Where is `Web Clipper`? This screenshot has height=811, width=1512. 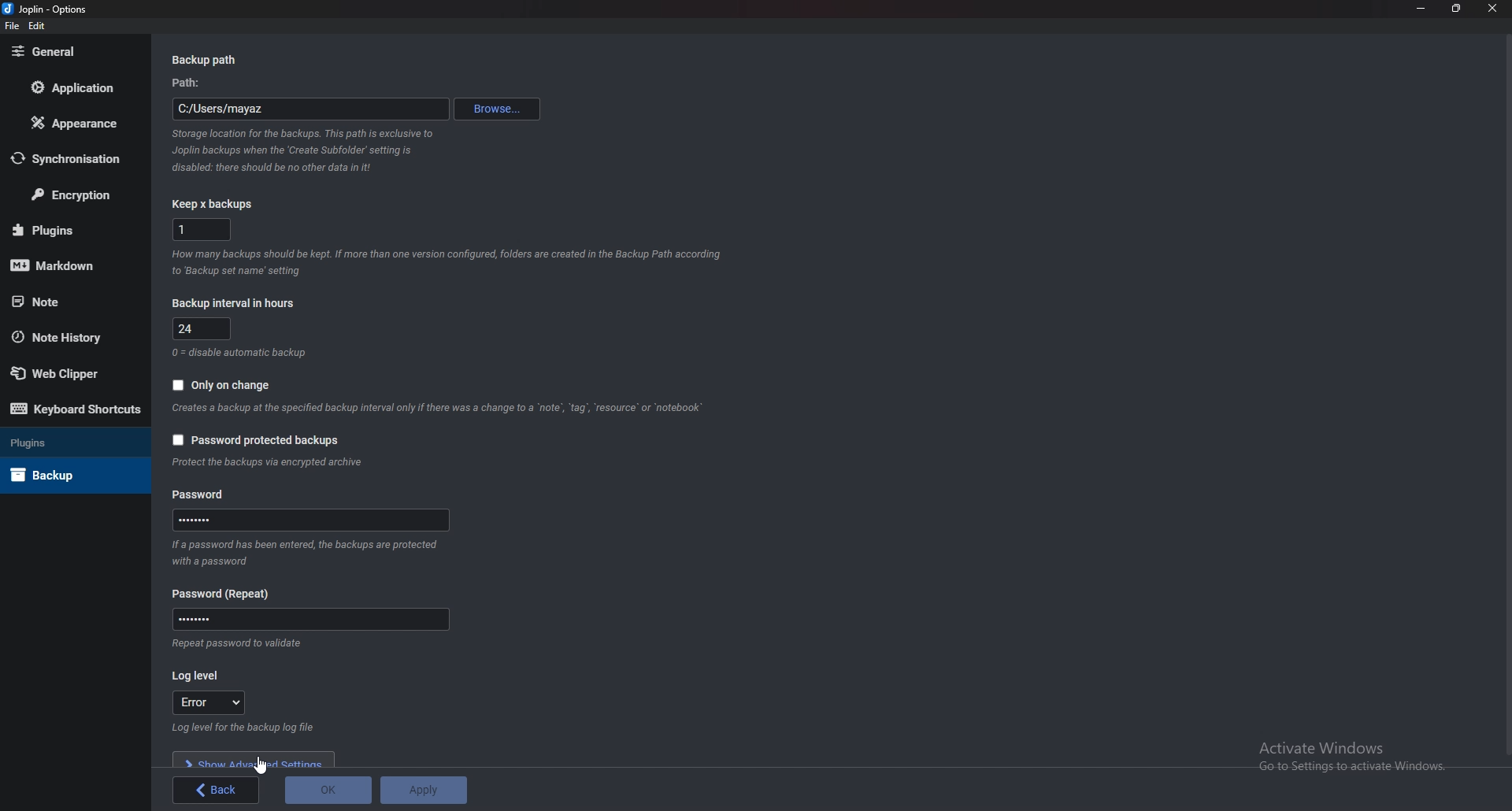
Web Clipper is located at coordinates (64, 370).